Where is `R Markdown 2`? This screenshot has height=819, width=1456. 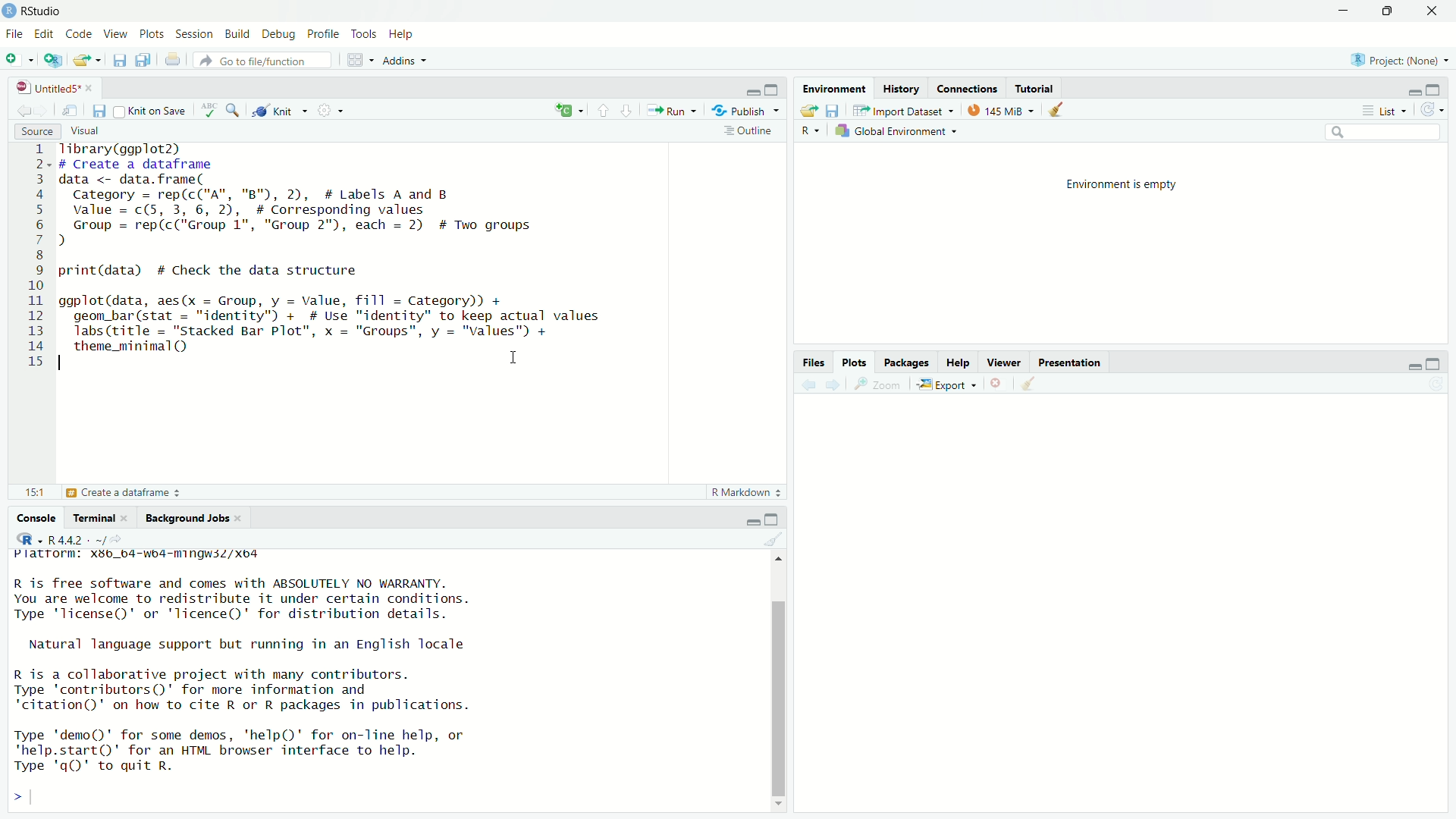
R Markdown 2 is located at coordinates (744, 493).